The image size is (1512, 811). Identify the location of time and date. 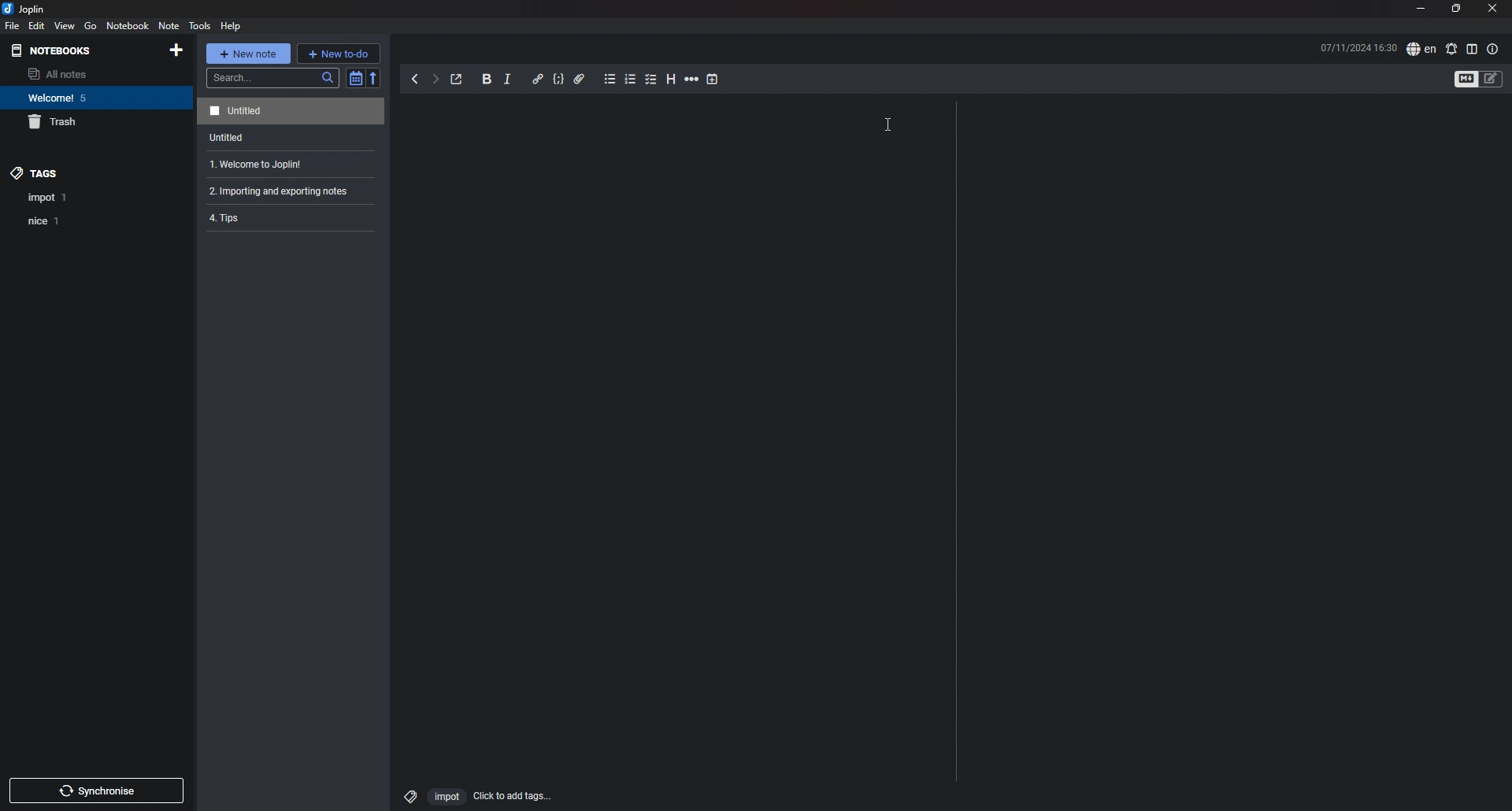
(1358, 47).